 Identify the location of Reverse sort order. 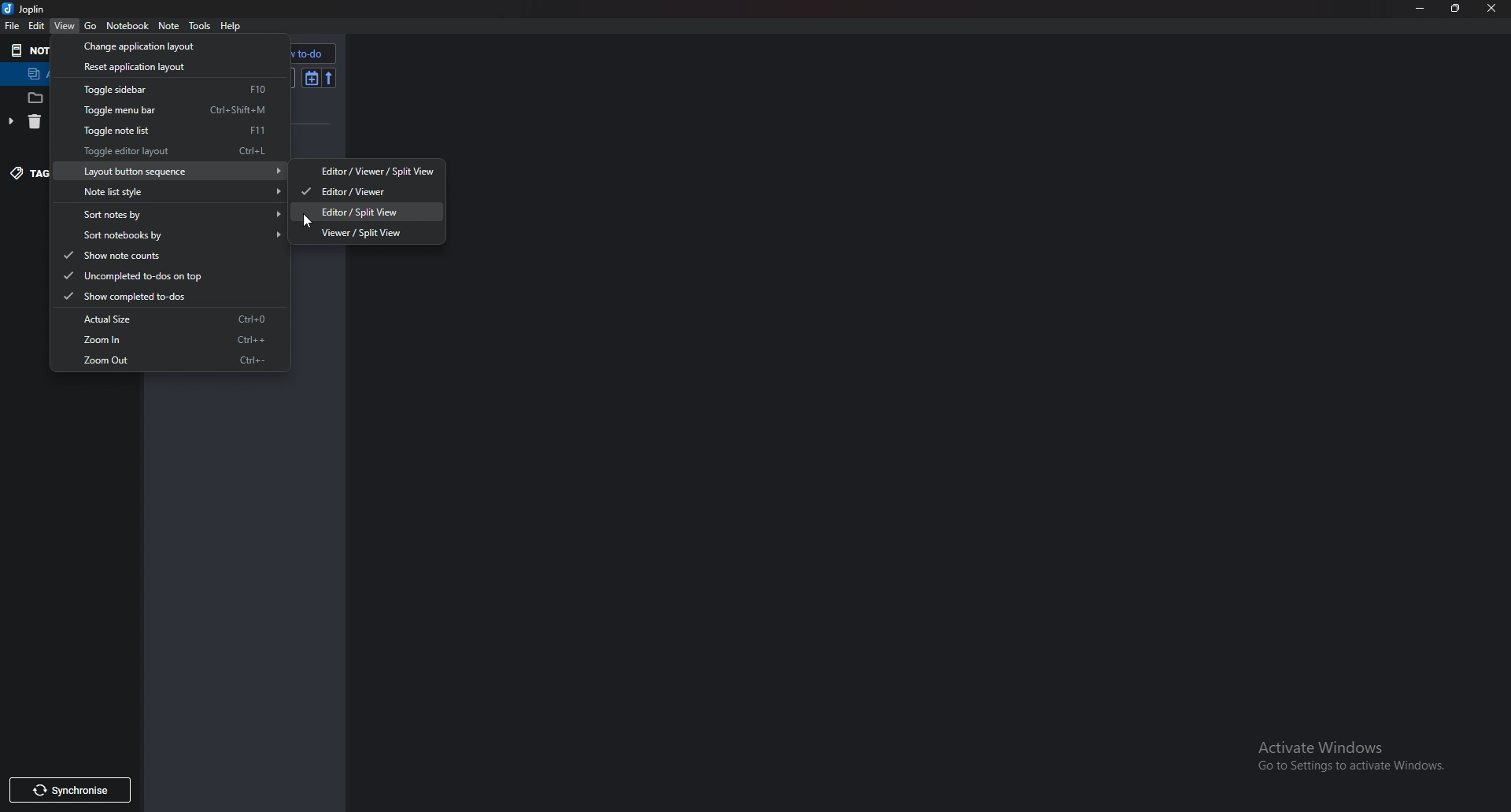
(329, 78).